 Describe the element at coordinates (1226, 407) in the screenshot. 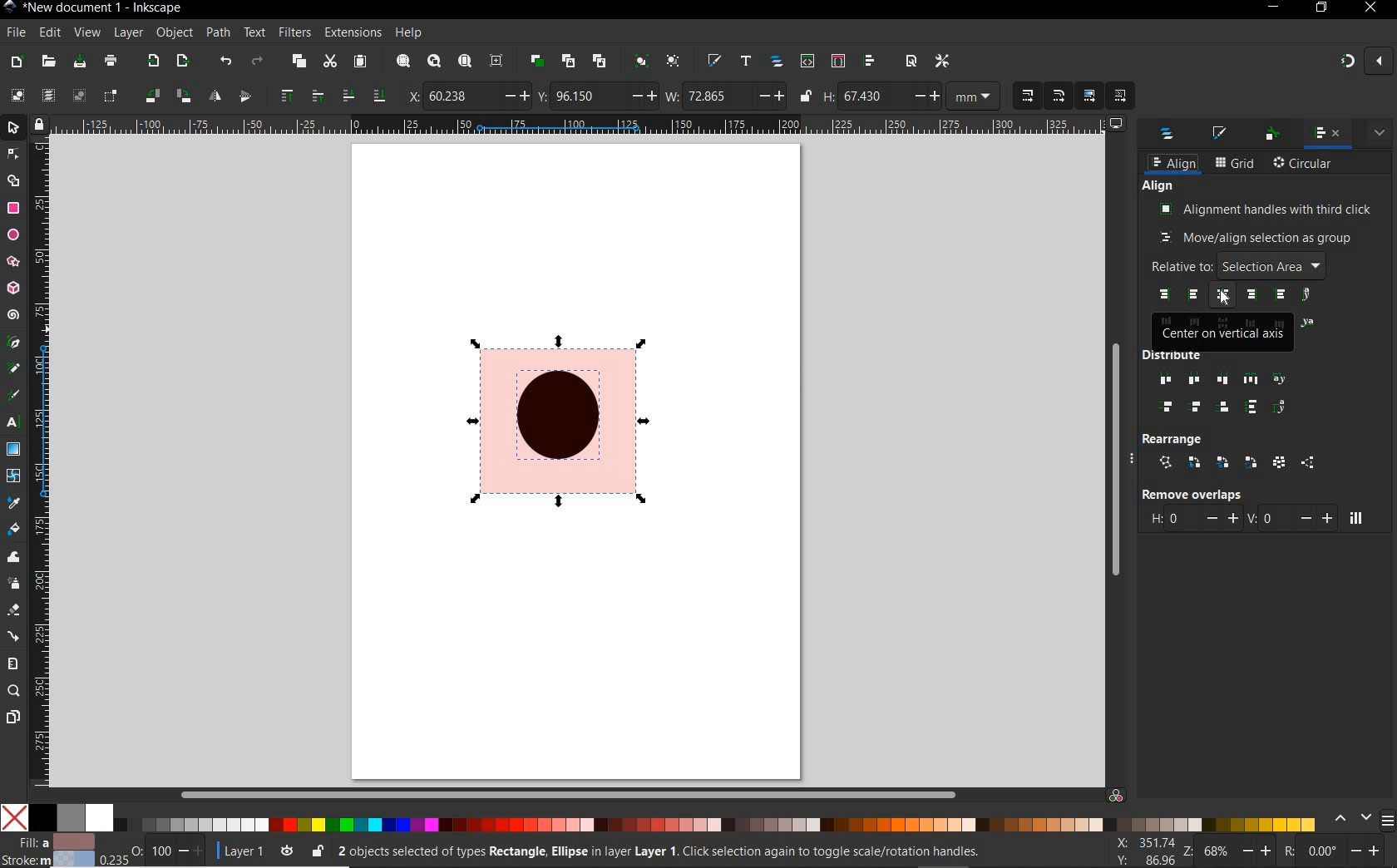

I see `EVEN BOTTOM EDGES` at that location.